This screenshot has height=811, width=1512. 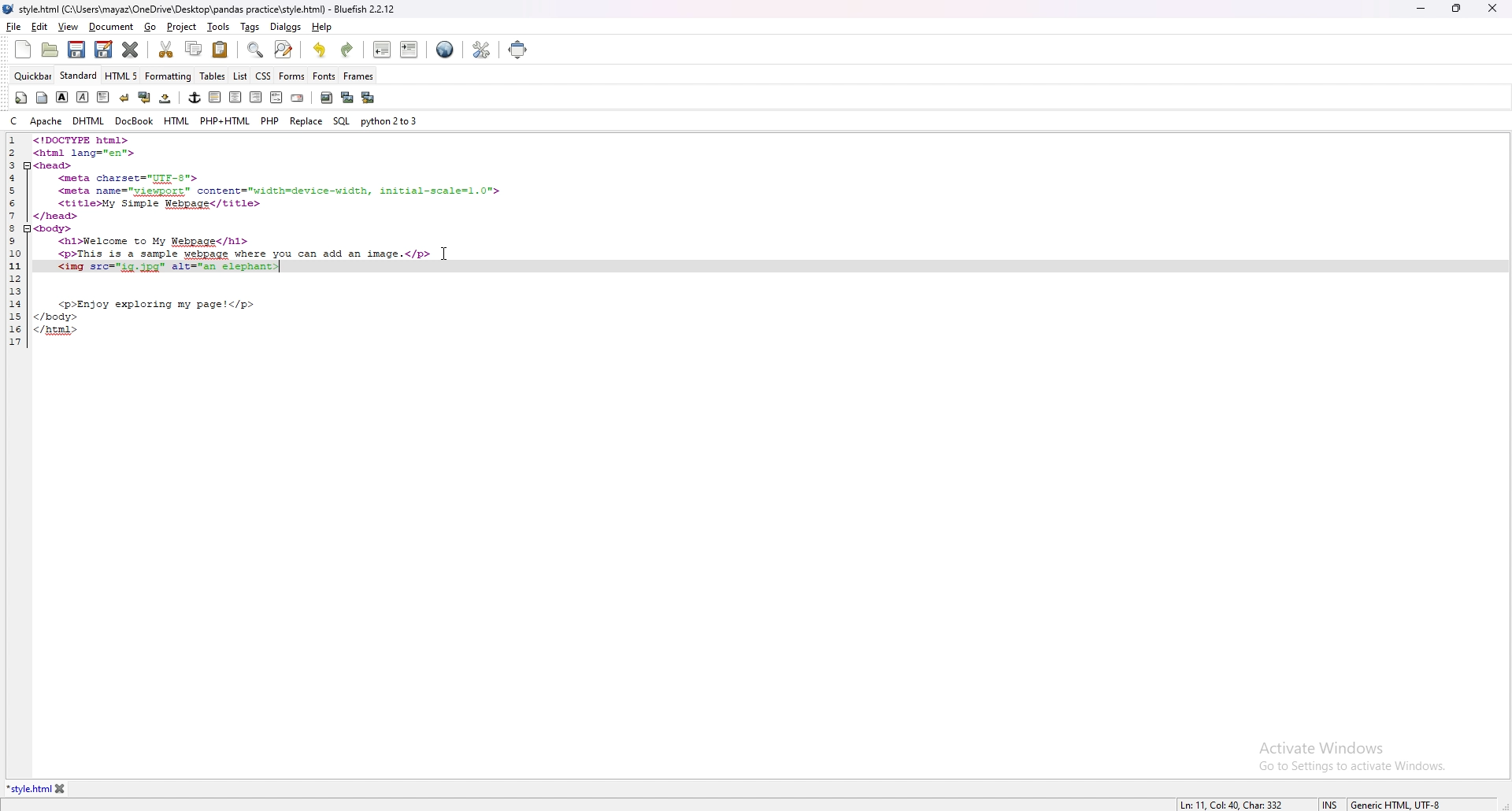 What do you see at coordinates (46, 121) in the screenshot?
I see `apache` at bounding box center [46, 121].